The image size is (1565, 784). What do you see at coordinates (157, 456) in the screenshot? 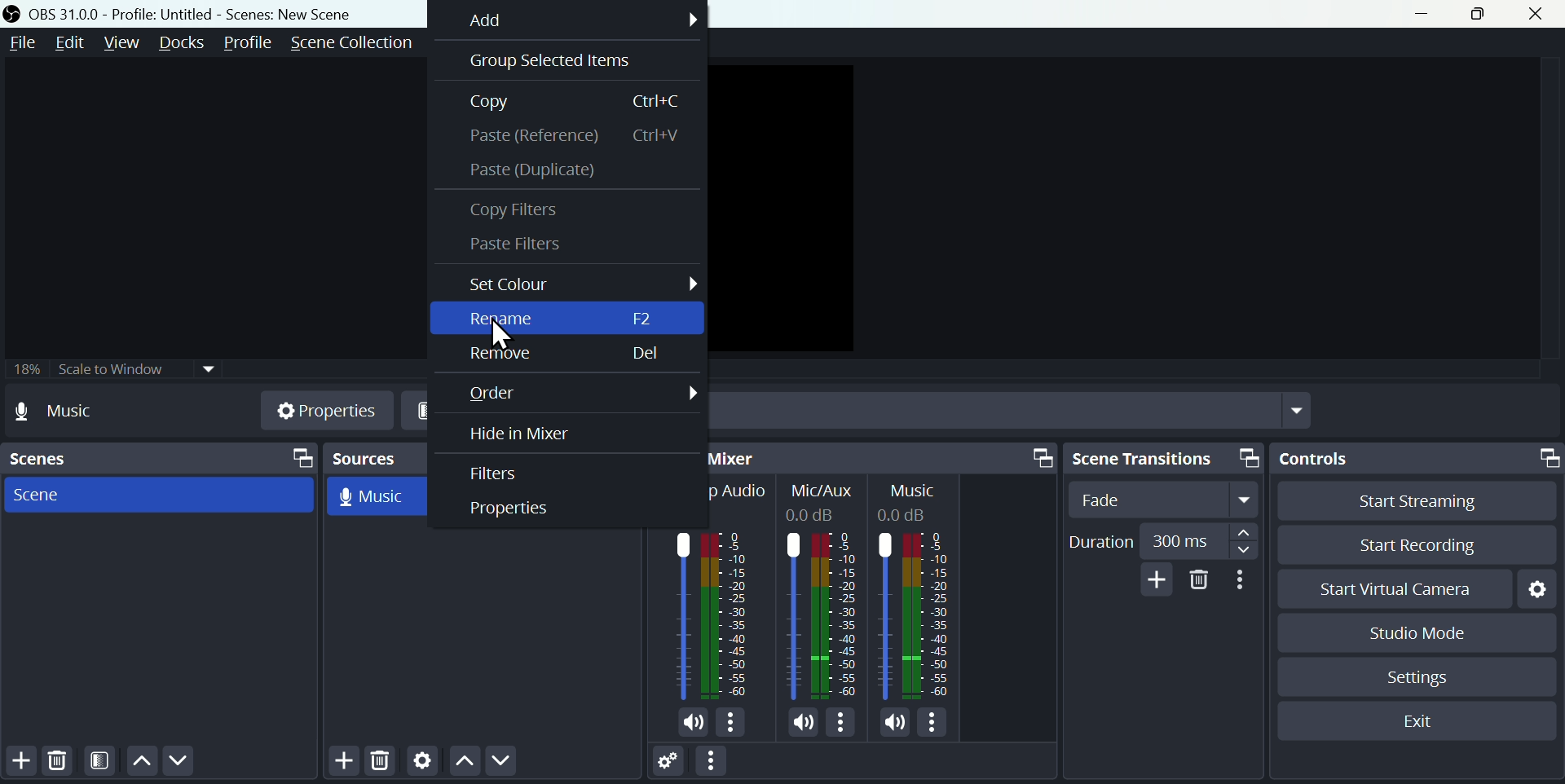
I see `Scenes` at bounding box center [157, 456].